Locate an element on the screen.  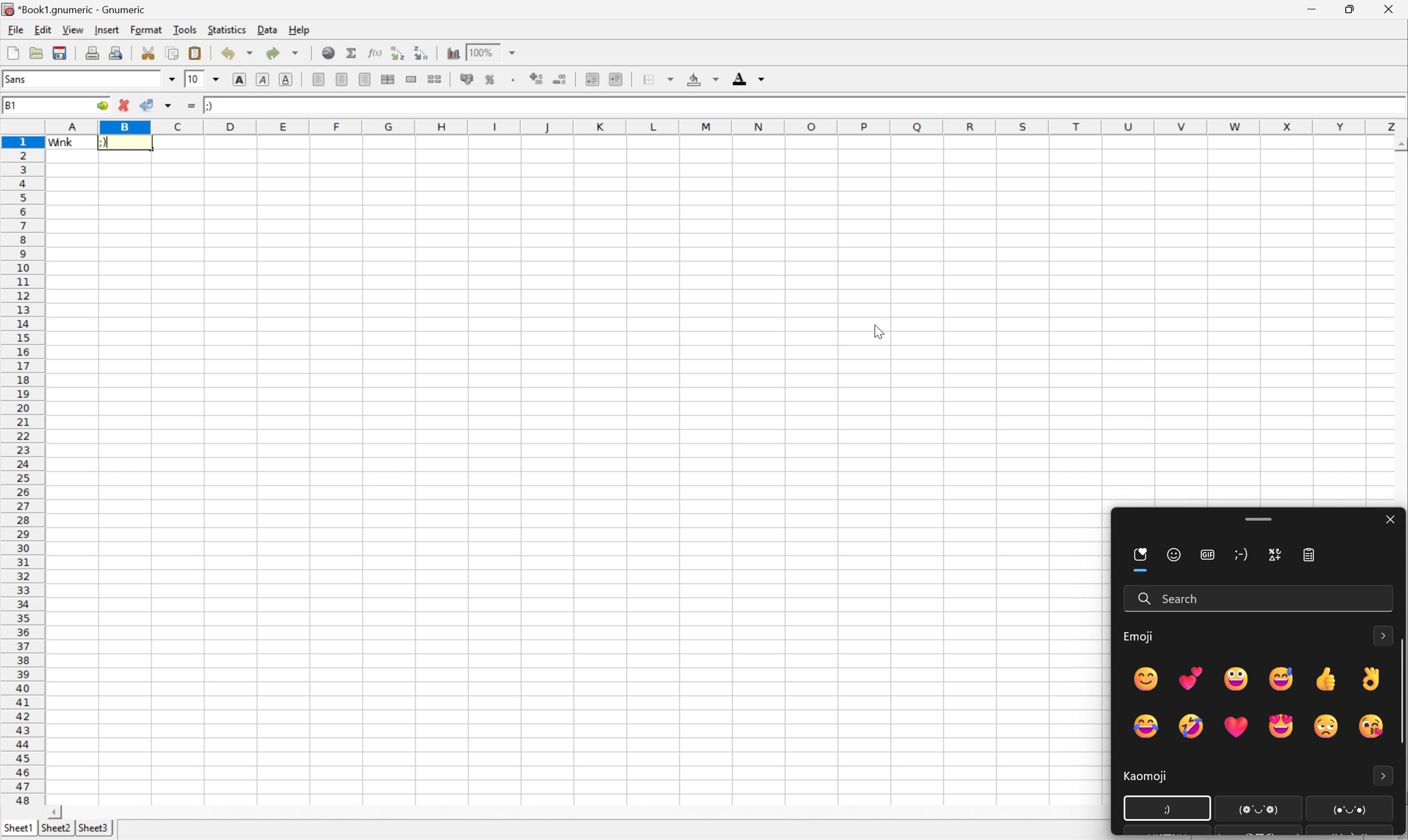
symbols is located at coordinates (1273, 556).